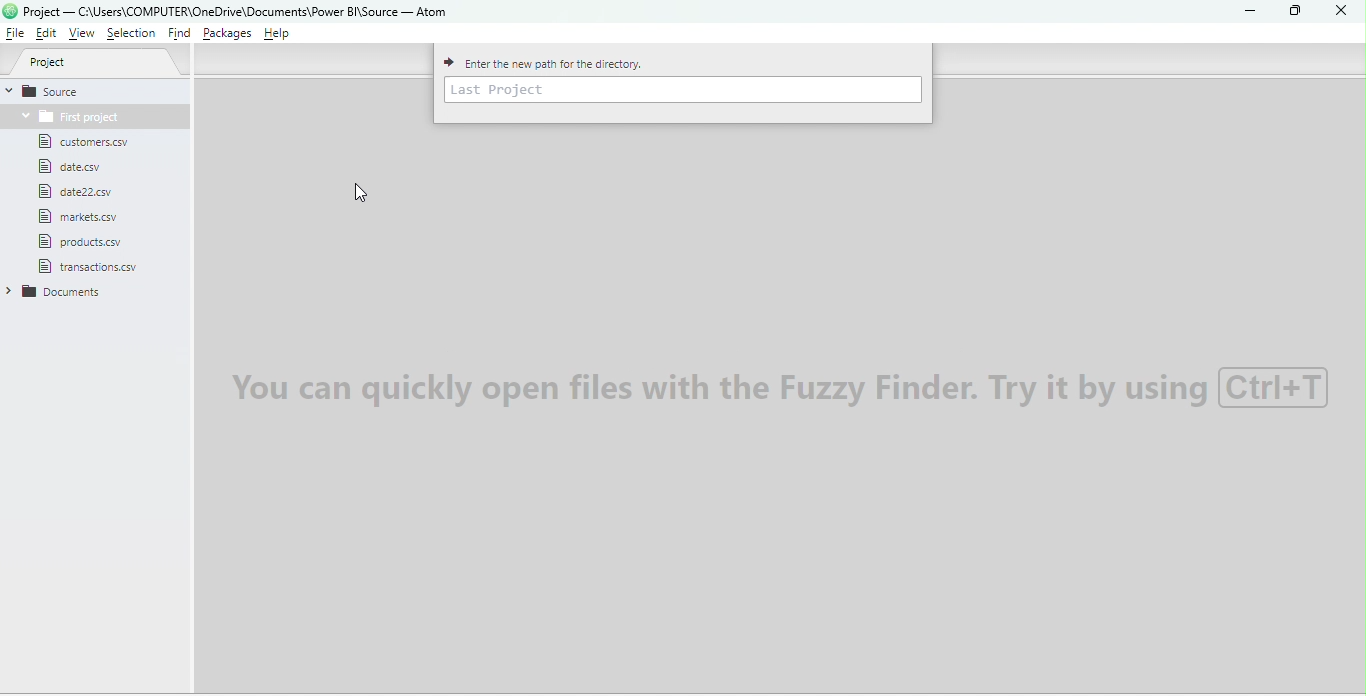 This screenshot has height=696, width=1366. Describe the element at coordinates (95, 90) in the screenshot. I see `Source` at that location.